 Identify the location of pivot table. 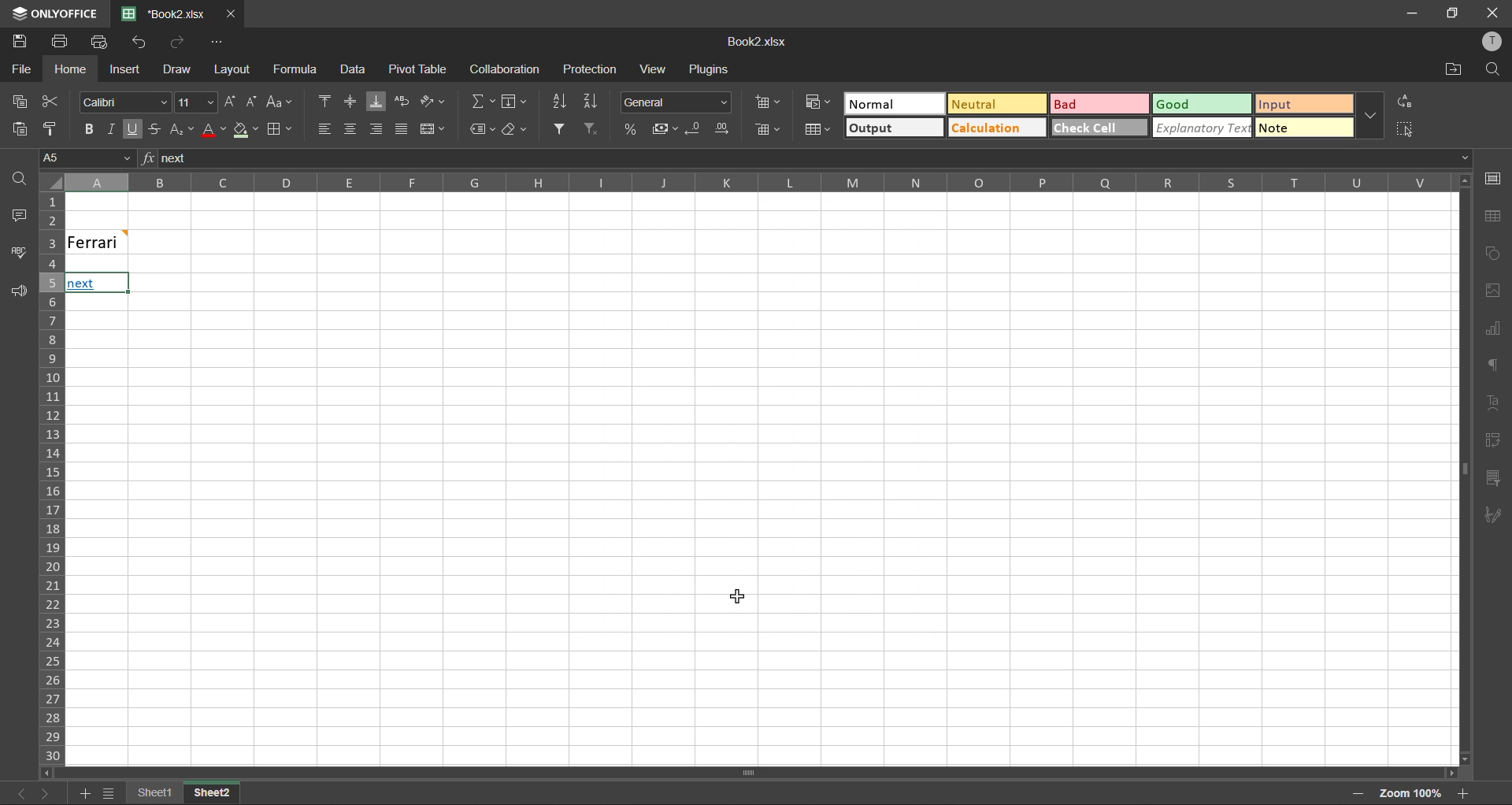
(1493, 440).